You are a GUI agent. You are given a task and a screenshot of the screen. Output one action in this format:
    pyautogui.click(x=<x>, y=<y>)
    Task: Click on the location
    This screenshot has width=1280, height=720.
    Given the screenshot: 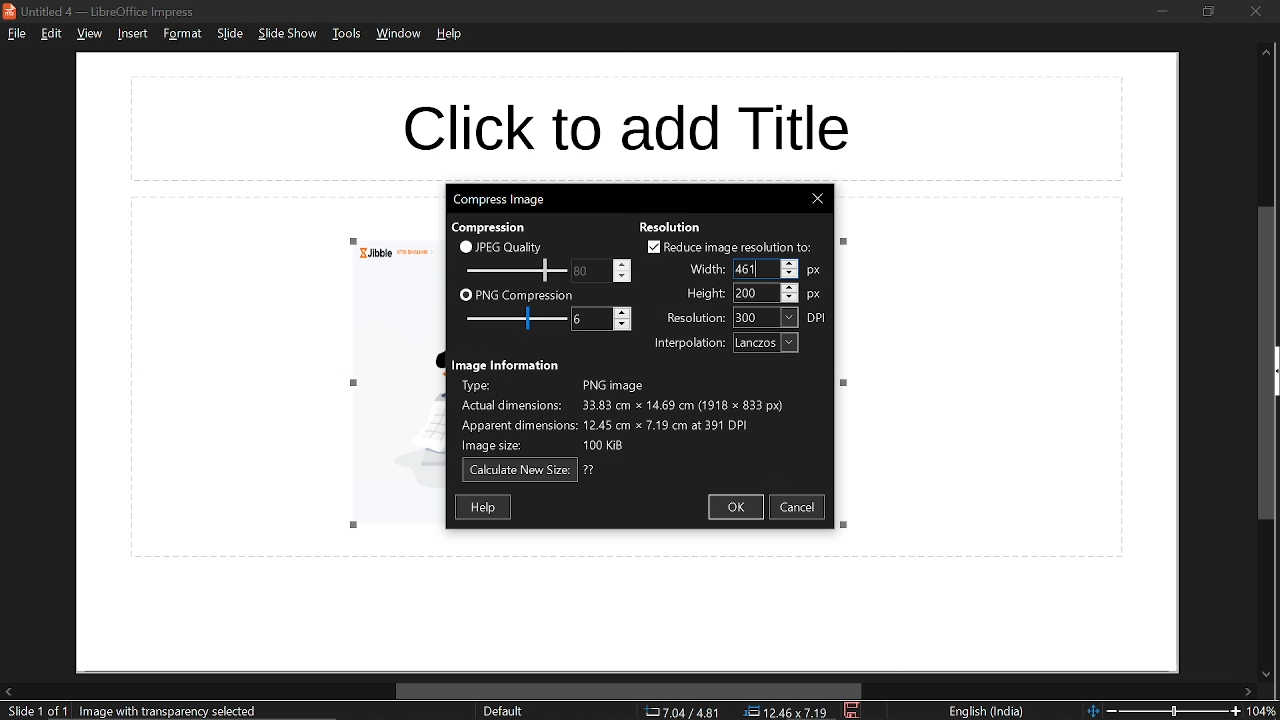 What is the action you would take?
    pyautogui.click(x=789, y=712)
    